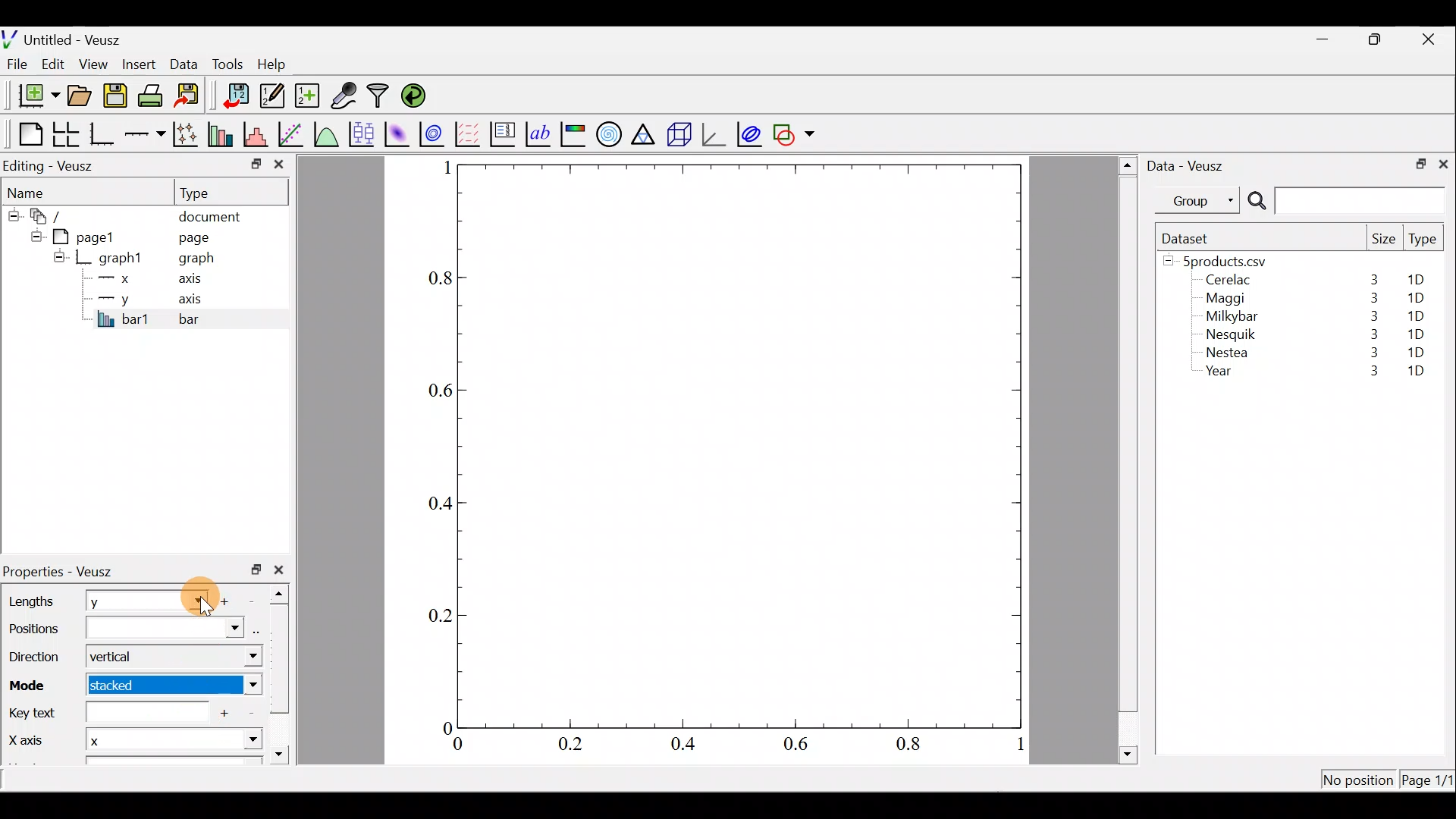  Describe the element at coordinates (363, 133) in the screenshot. I see `Plot box plots` at that location.